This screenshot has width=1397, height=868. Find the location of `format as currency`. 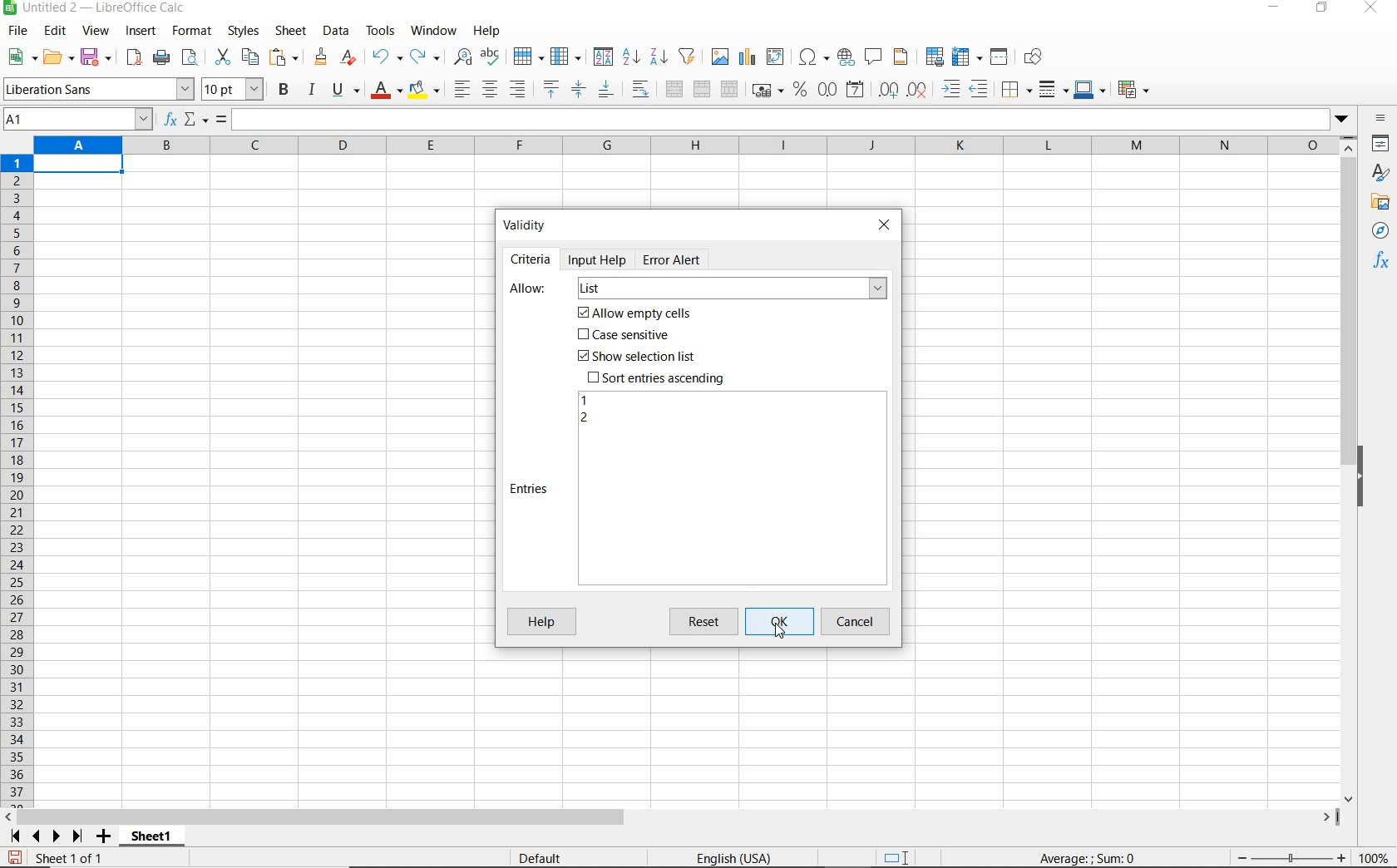

format as currency is located at coordinates (767, 88).